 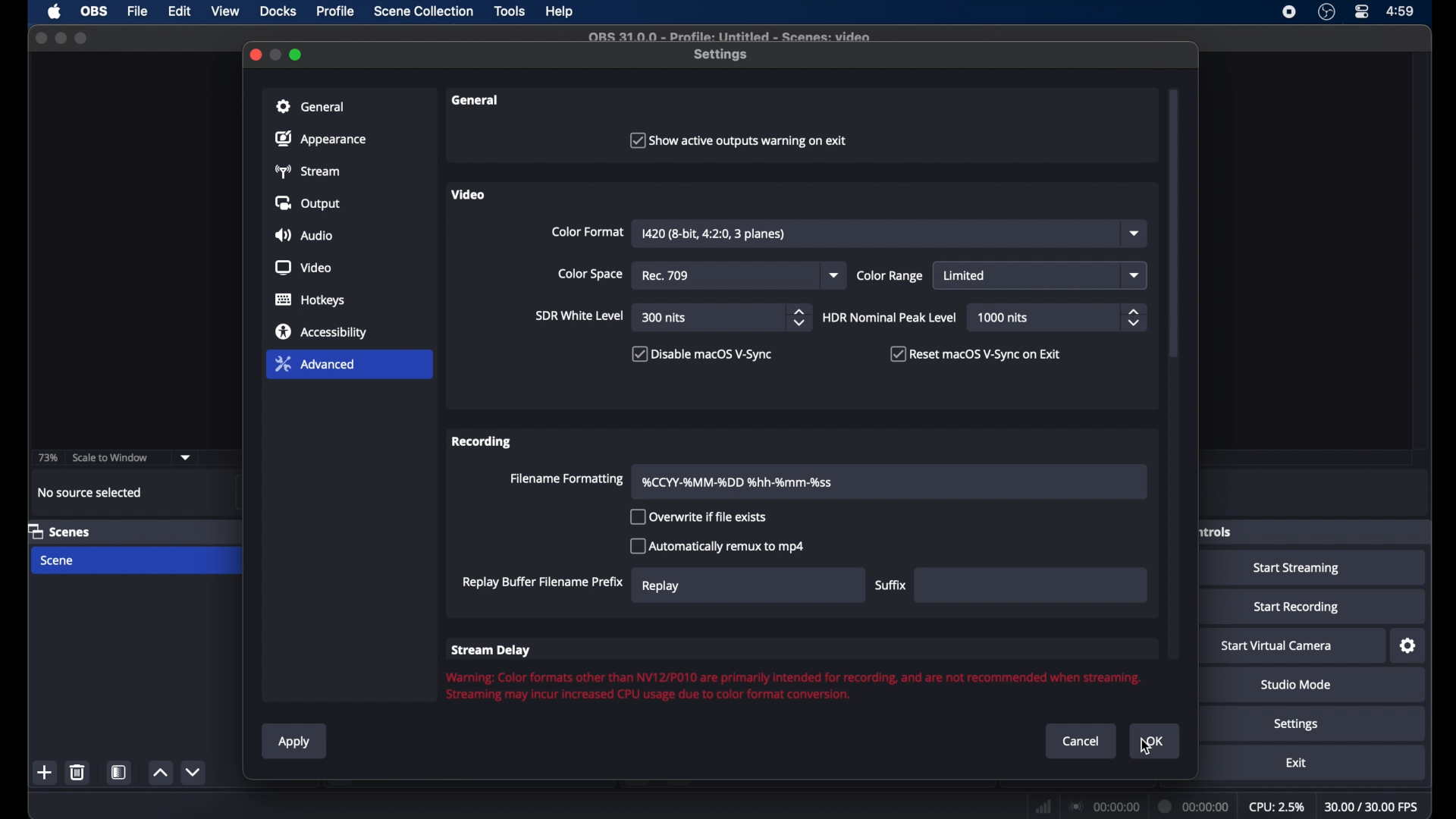 What do you see at coordinates (322, 139) in the screenshot?
I see `appearance` at bounding box center [322, 139].